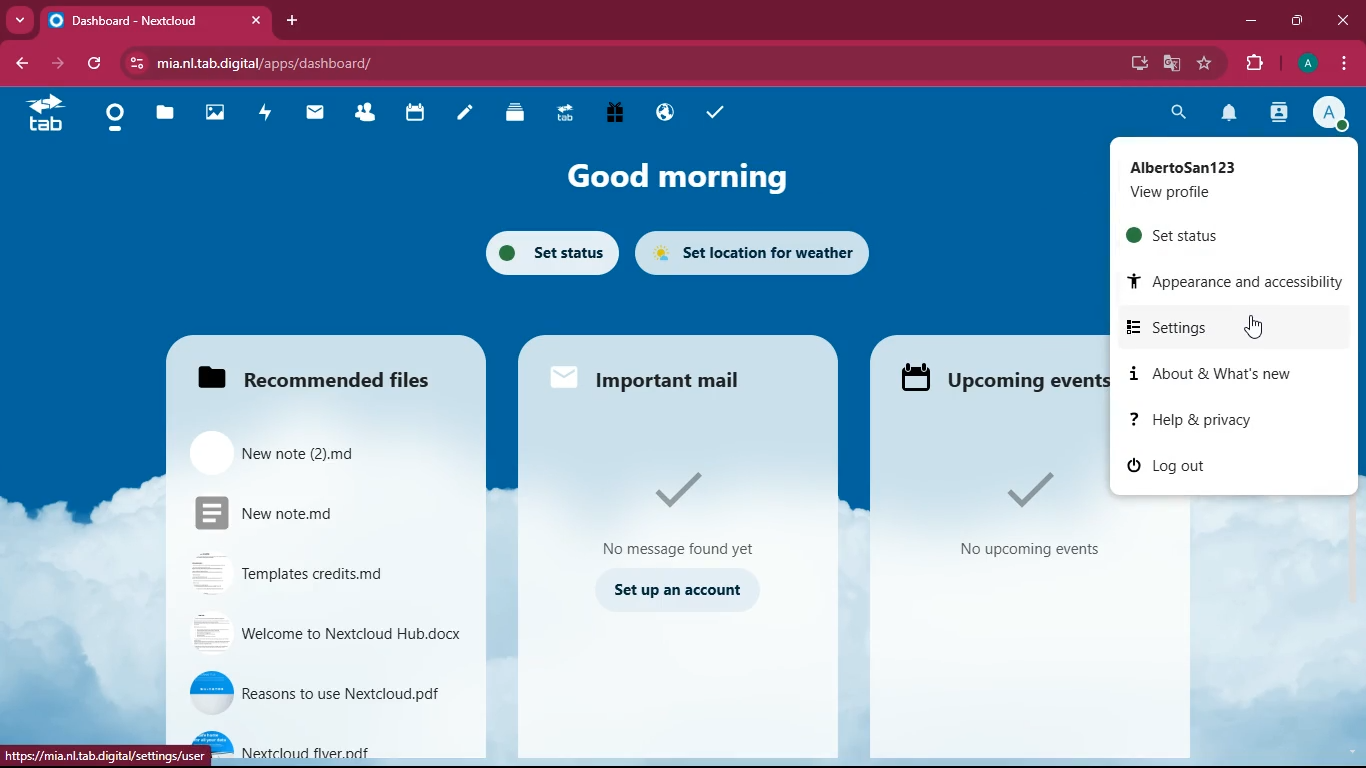 The height and width of the screenshot is (768, 1366). Describe the element at coordinates (1251, 22) in the screenshot. I see `minimize` at that location.